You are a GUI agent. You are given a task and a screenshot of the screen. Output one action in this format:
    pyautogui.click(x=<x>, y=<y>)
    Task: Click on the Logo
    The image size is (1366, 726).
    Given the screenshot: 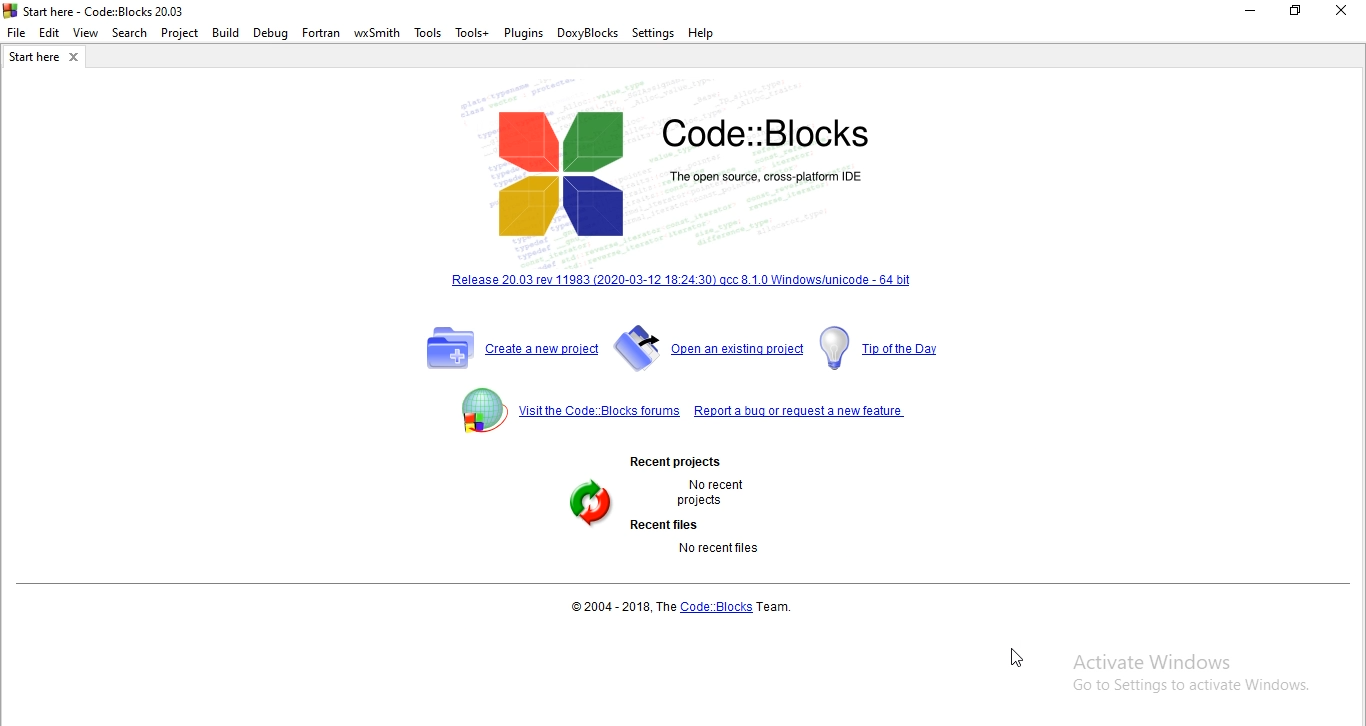 What is the action you would take?
    pyautogui.click(x=484, y=411)
    